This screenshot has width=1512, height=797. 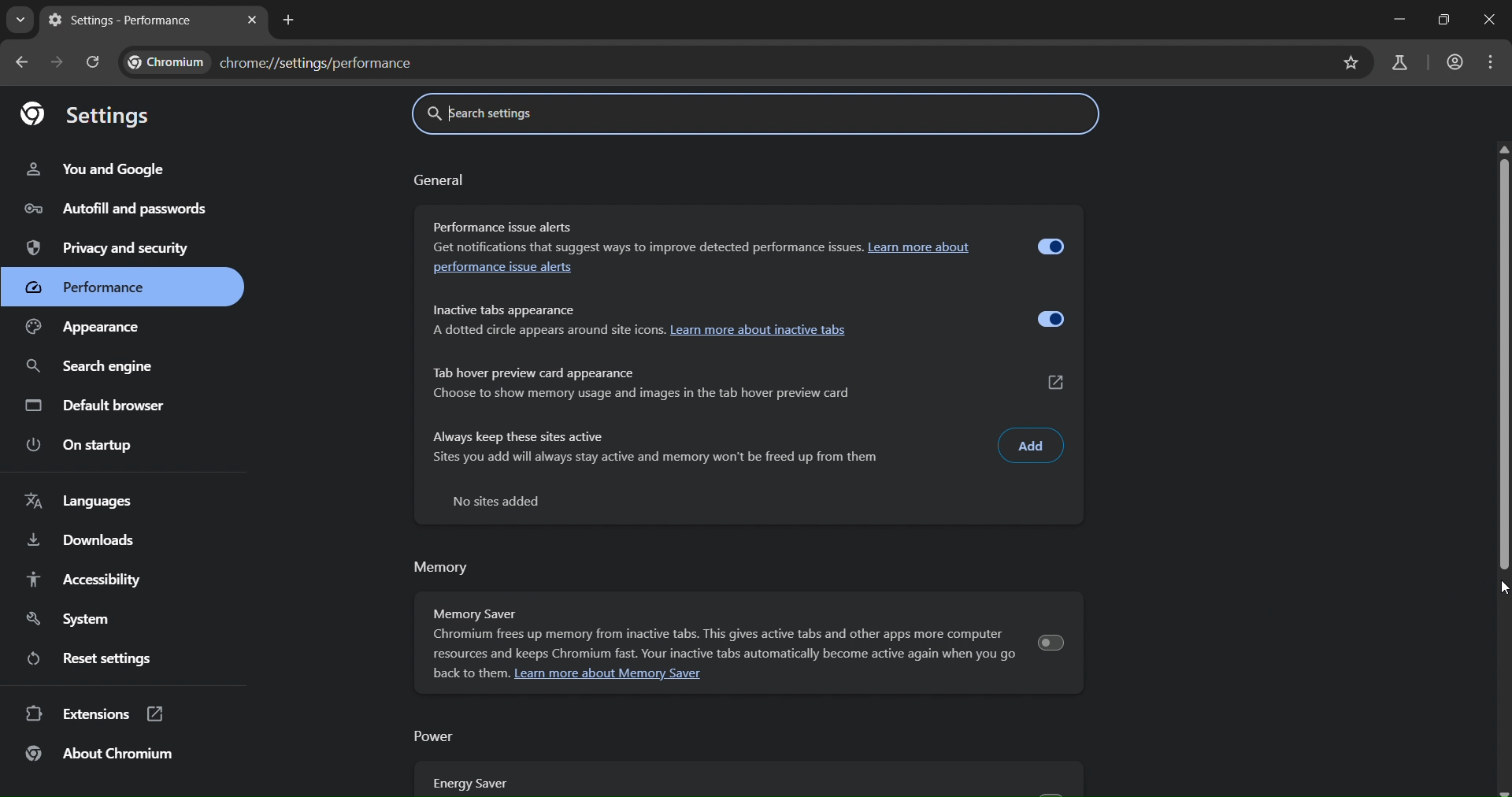 What do you see at coordinates (254, 21) in the screenshot?
I see `close tab` at bounding box center [254, 21].